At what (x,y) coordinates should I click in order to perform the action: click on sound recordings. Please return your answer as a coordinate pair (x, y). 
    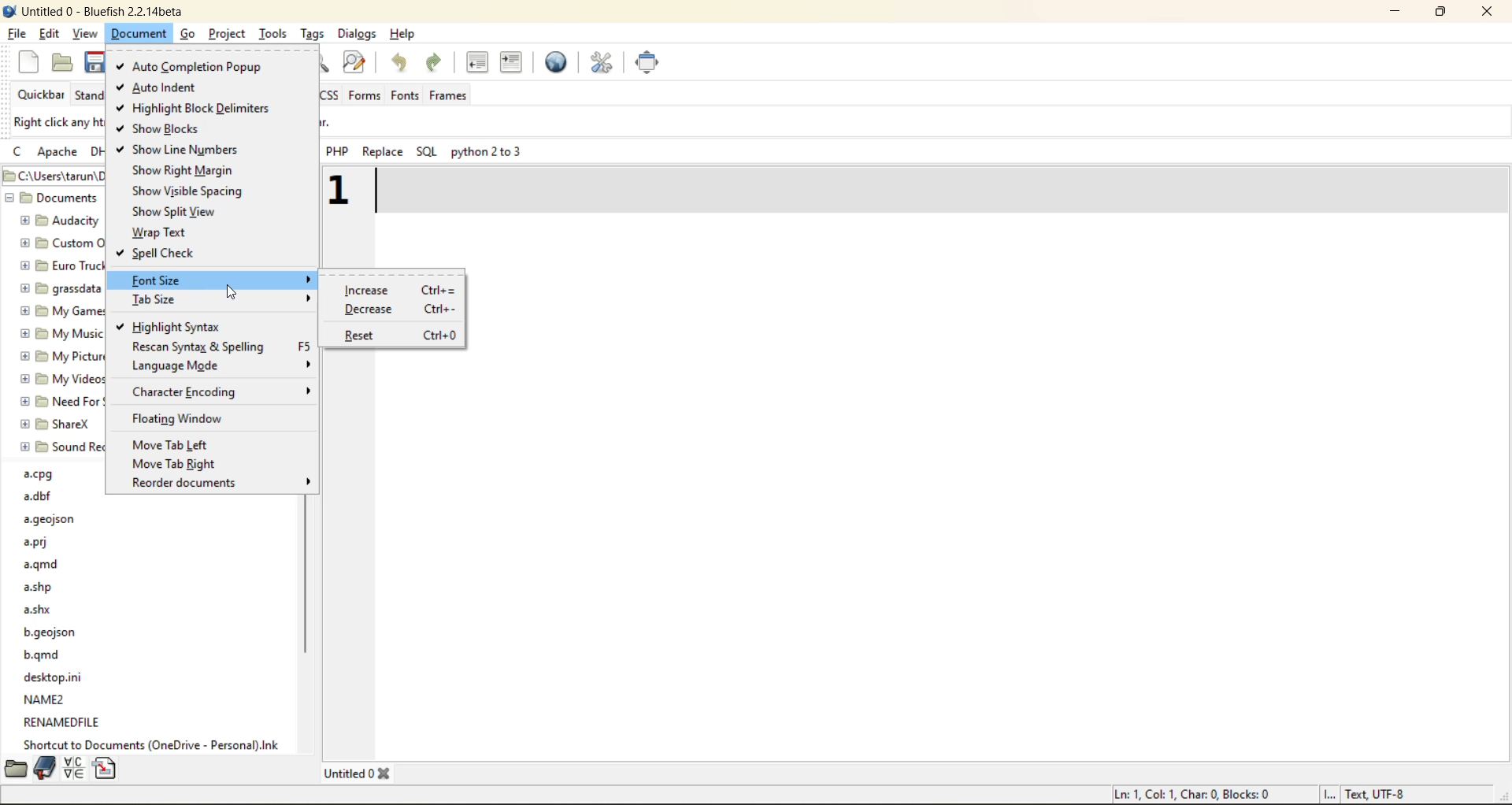
    Looking at the image, I should click on (59, 447).